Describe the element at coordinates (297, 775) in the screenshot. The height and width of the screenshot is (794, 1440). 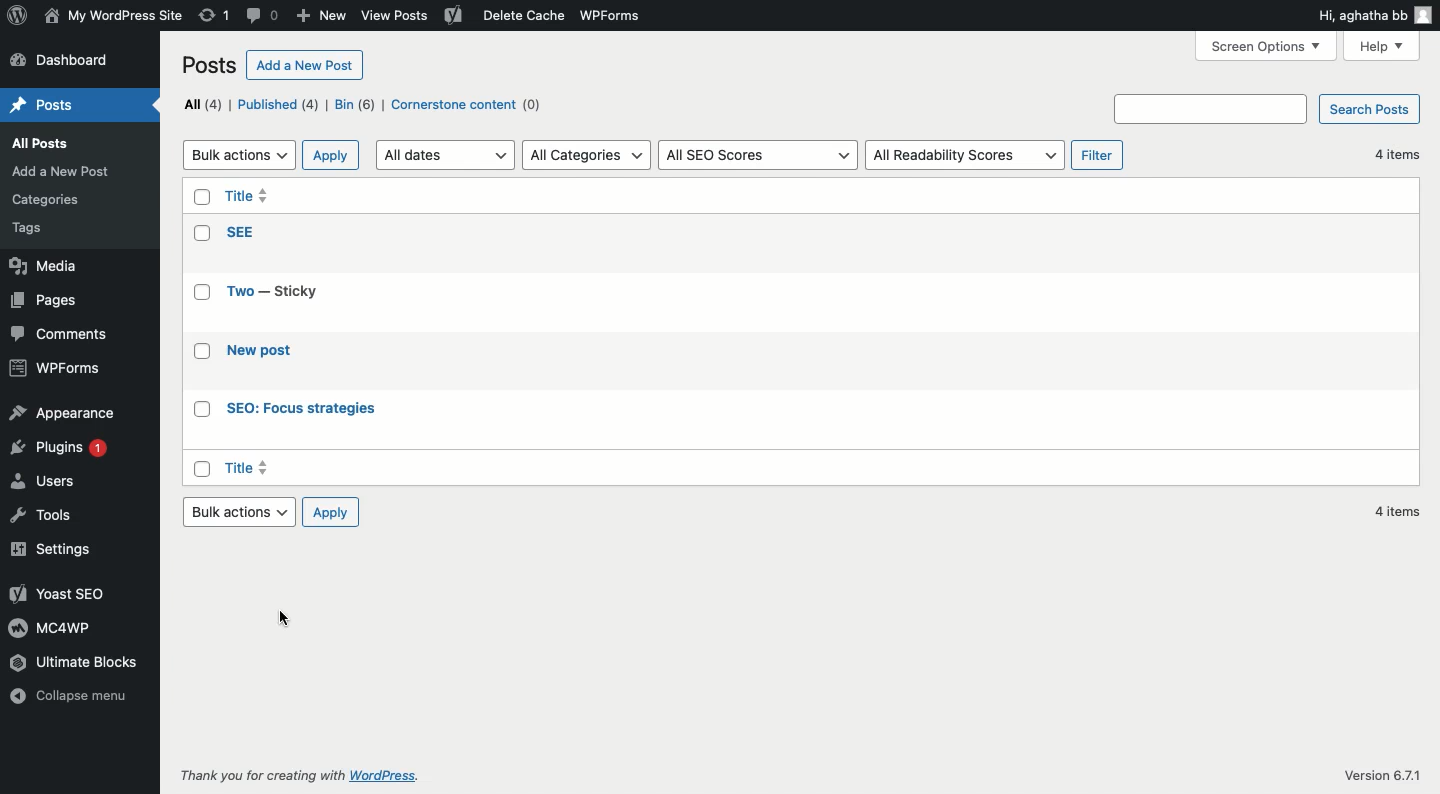
I see `Thank you for creating with WordPress` at that location.